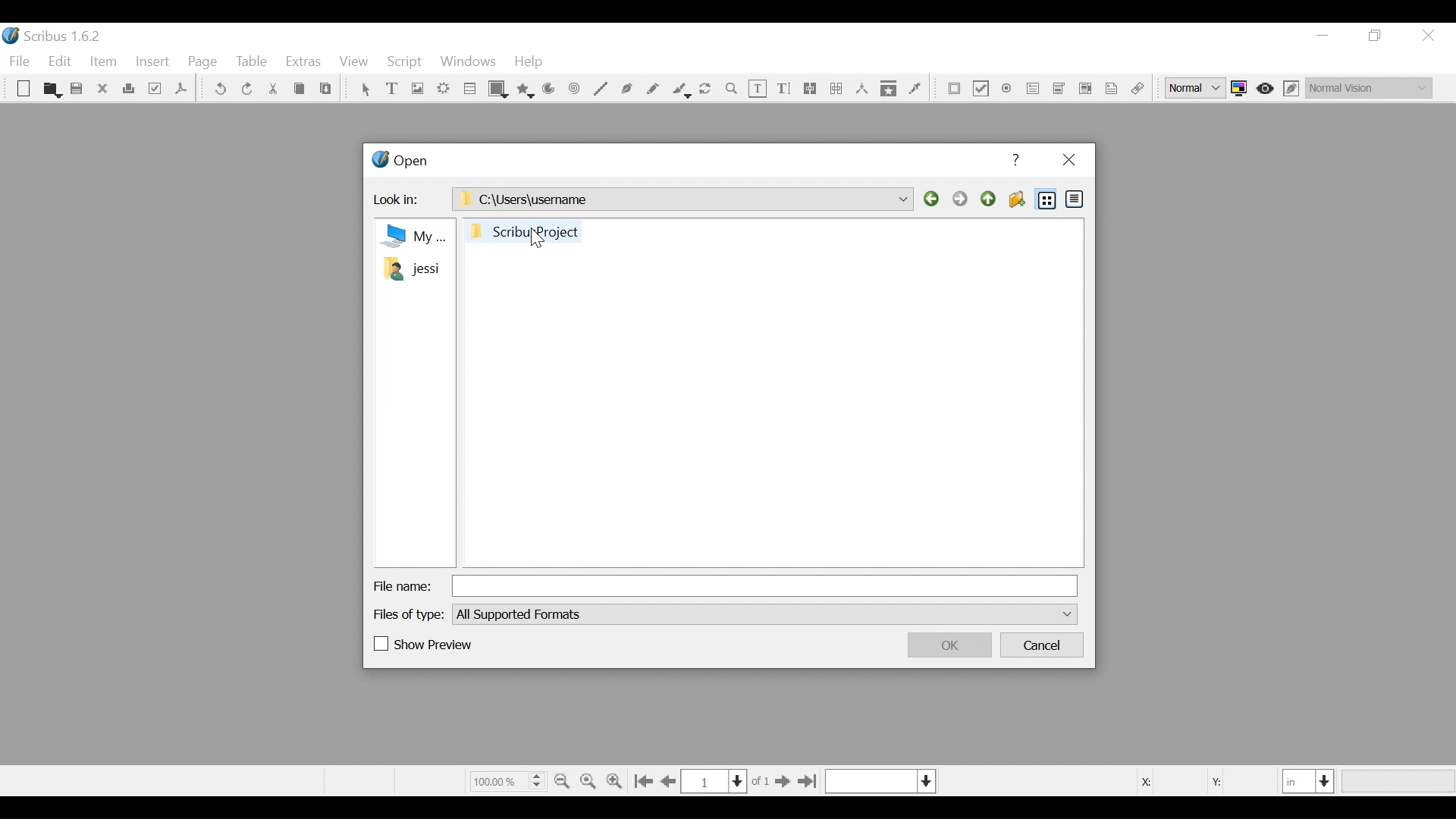 The width and height of the screenshot is (1456, 819). Describe the element at coordinates (1323, 36) in the screenshot. I see `minimize` at that location.